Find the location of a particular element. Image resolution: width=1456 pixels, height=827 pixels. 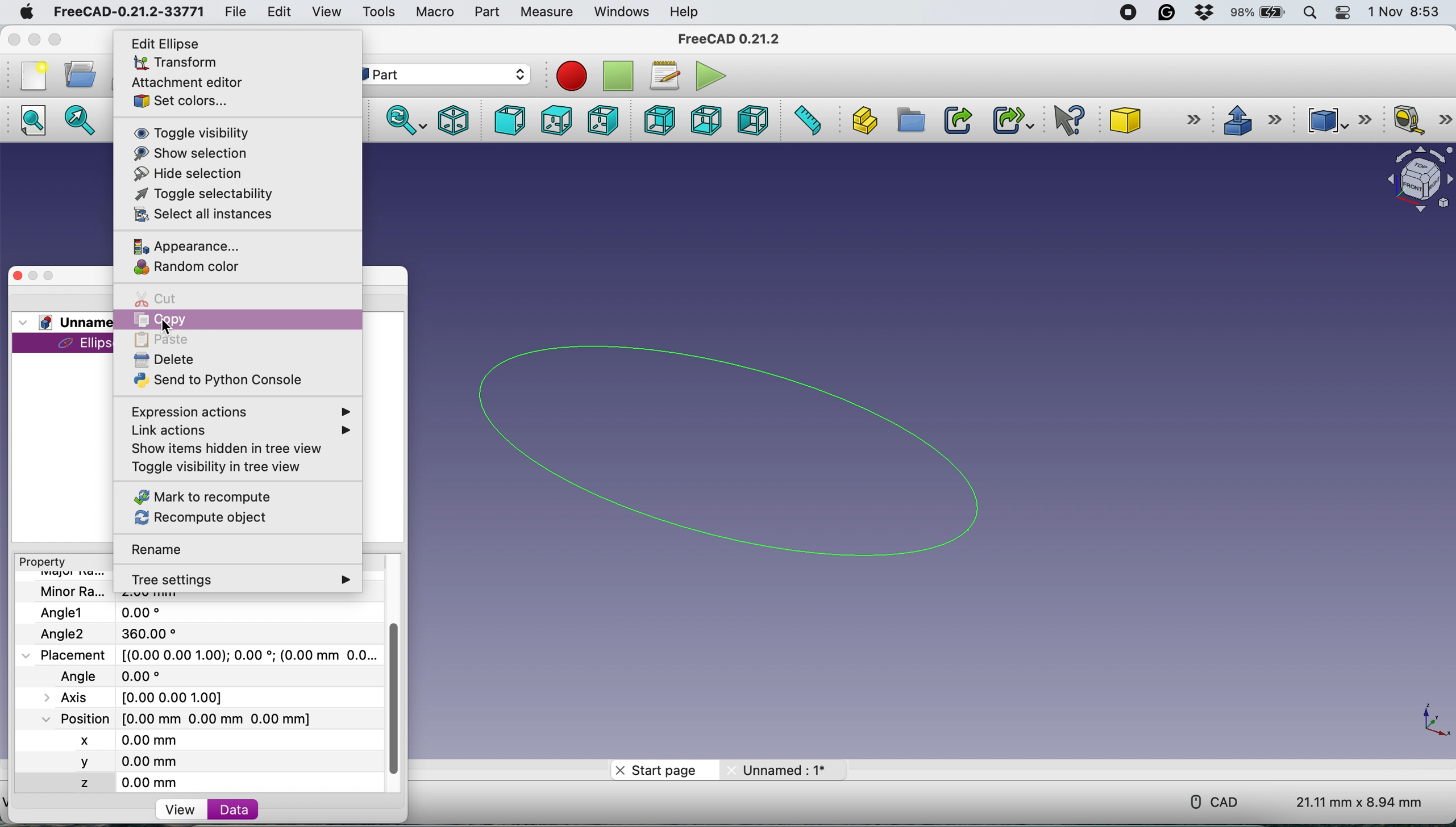

cube is located at coordinates (1157, 118).